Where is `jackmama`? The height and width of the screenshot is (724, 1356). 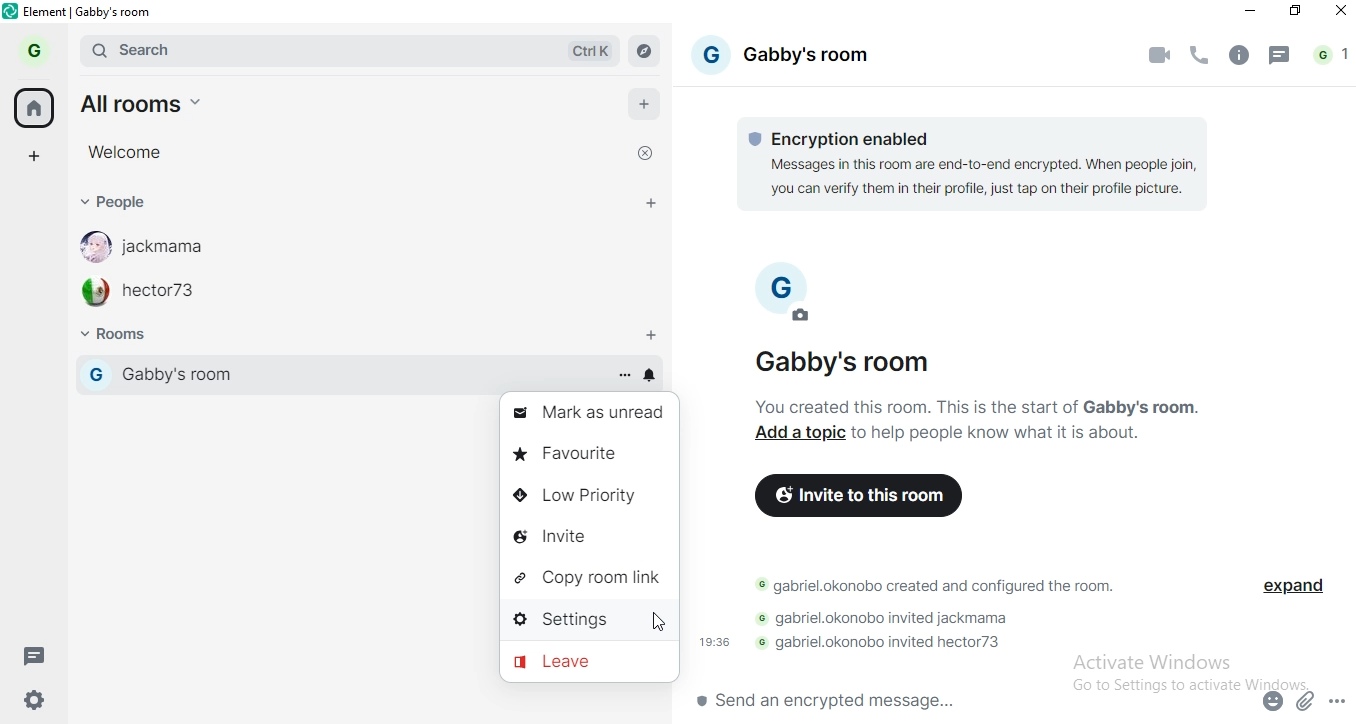 jackmama is located at coordinates (158, 248).